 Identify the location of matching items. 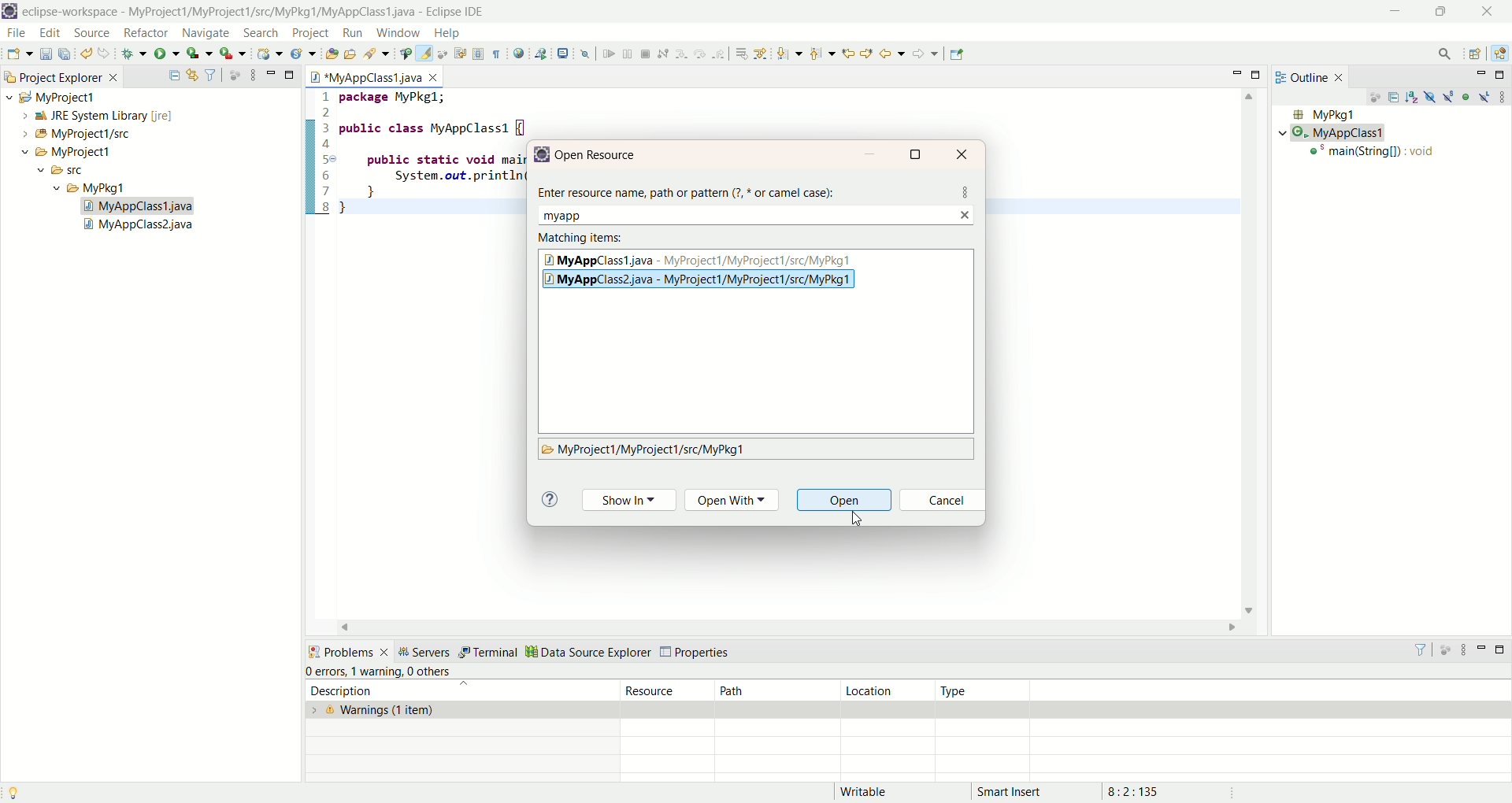
(584, 238).